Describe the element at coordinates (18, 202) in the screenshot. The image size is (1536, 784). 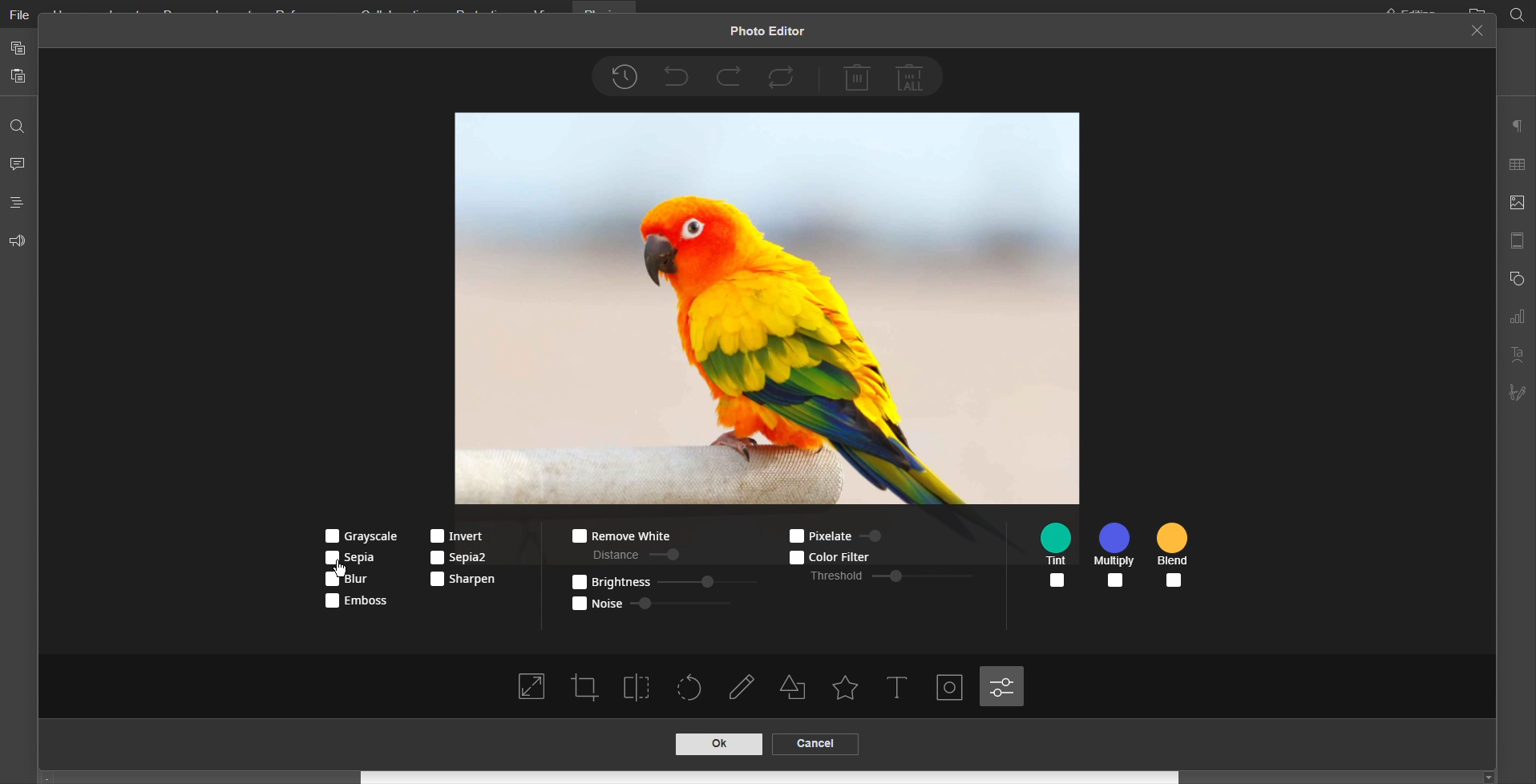
I see `Headings` at that location.